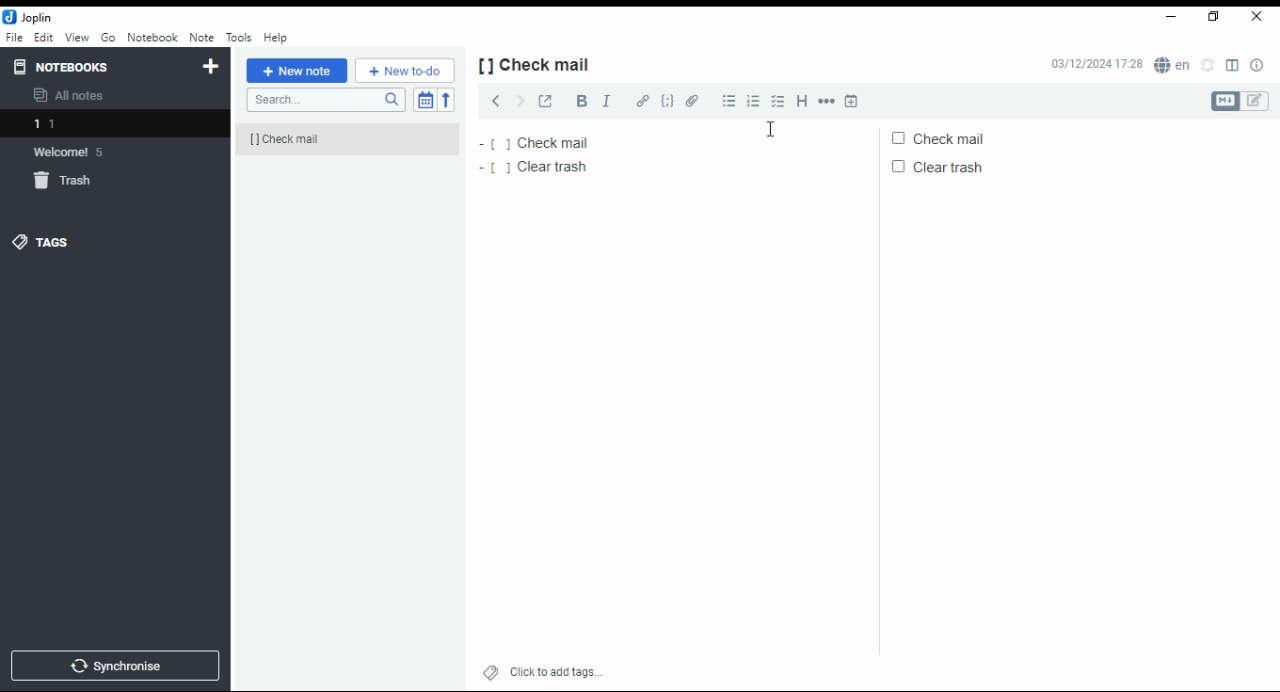 The image size is (1280, 692). What do you see at coordinates (1211, 65) in the screenshot?
I see `set alarm` at bounding box center [1211, 65].